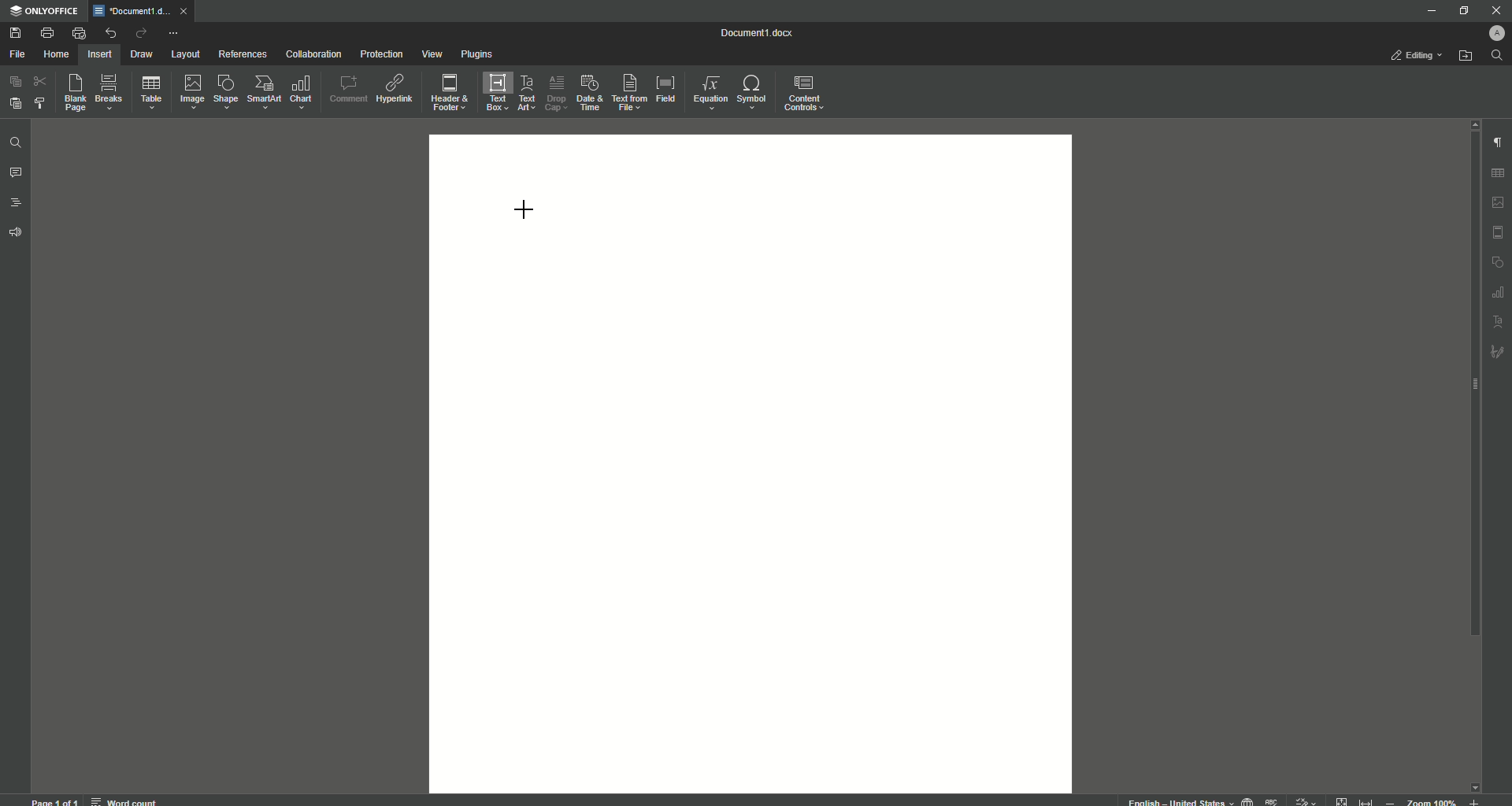  Describe the element at coordinates (41, 102) in the screenshot. I see `Choose Styles` at that location.